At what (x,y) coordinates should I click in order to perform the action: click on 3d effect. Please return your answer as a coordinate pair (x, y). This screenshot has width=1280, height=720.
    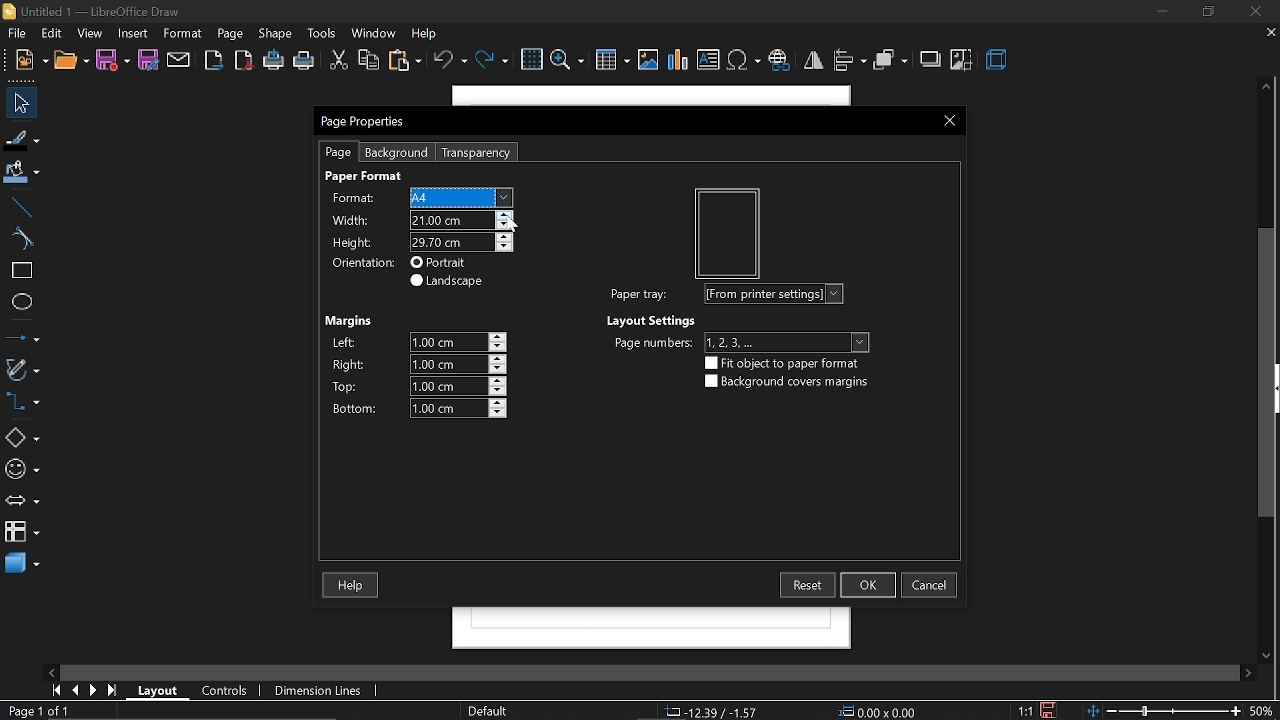
    Looking at the image, I should click on (998, 59).